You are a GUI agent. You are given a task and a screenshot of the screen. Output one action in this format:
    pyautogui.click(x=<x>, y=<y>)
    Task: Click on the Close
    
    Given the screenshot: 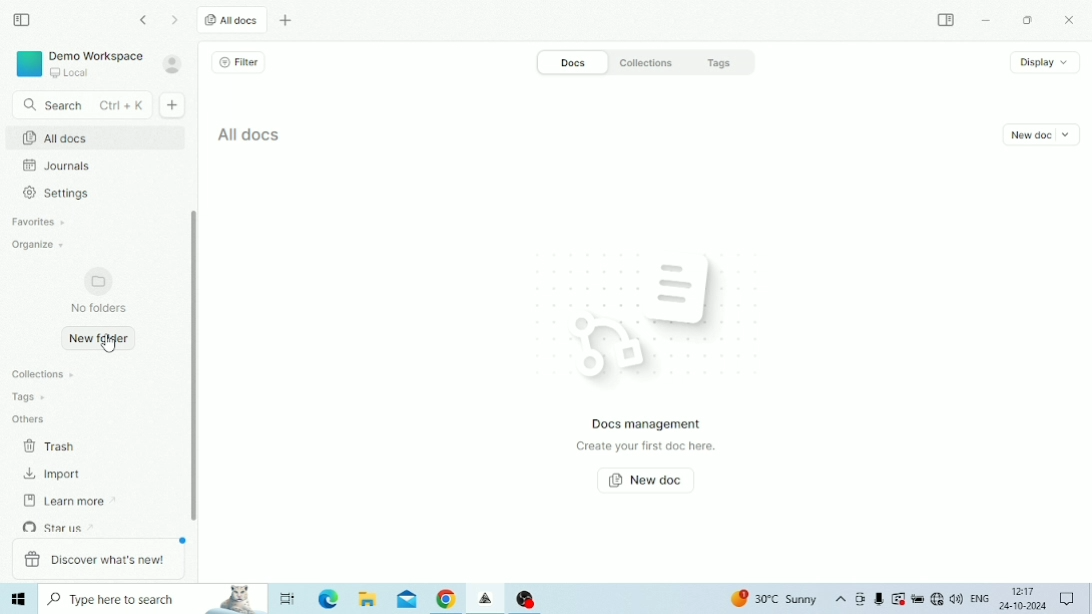 What is the action you would take?
    pyautogui.click(x=1072, y=21)
    